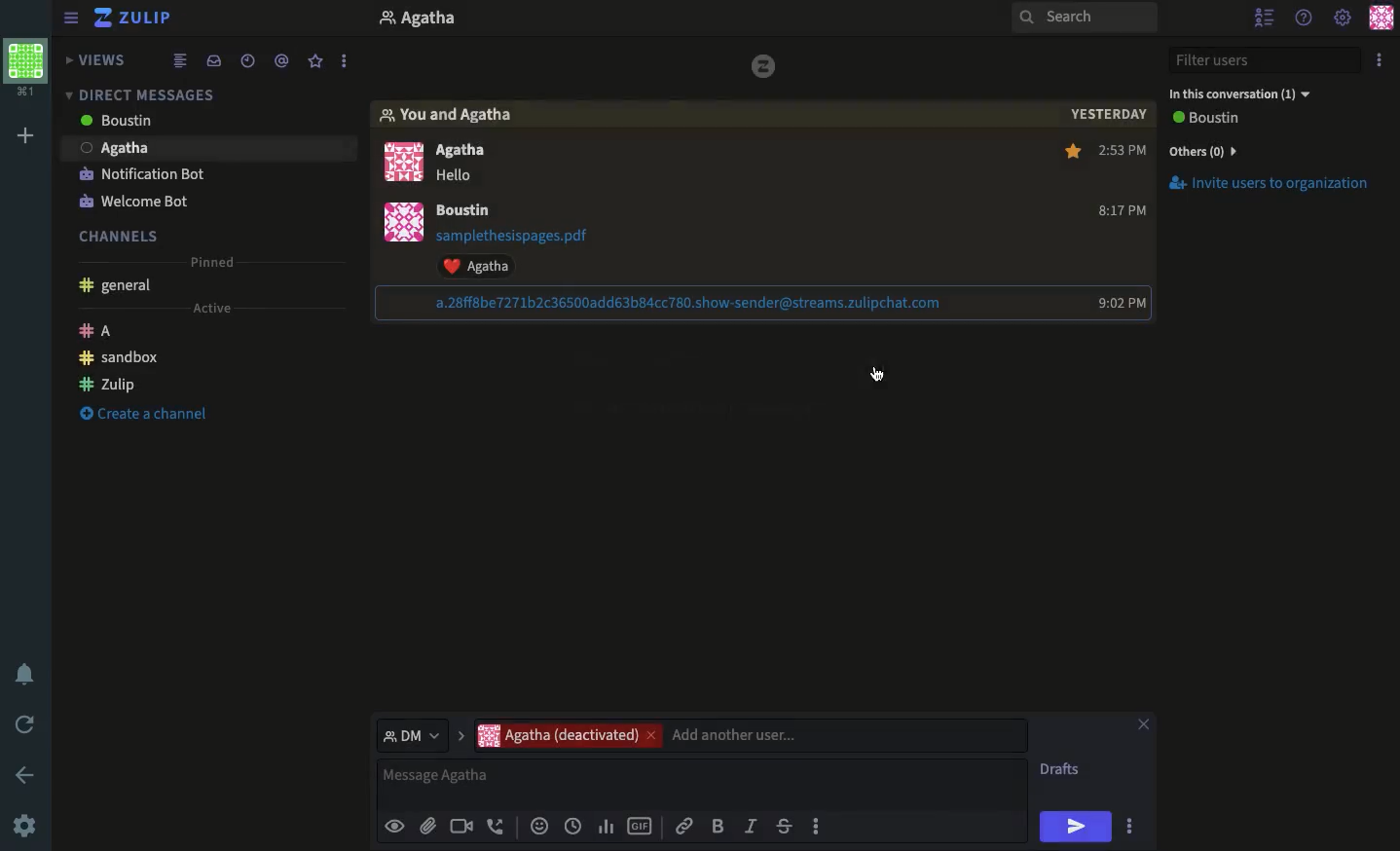  Describe the element at coordinates (409, 199) in the screenshot. I see `Profile` at that location.